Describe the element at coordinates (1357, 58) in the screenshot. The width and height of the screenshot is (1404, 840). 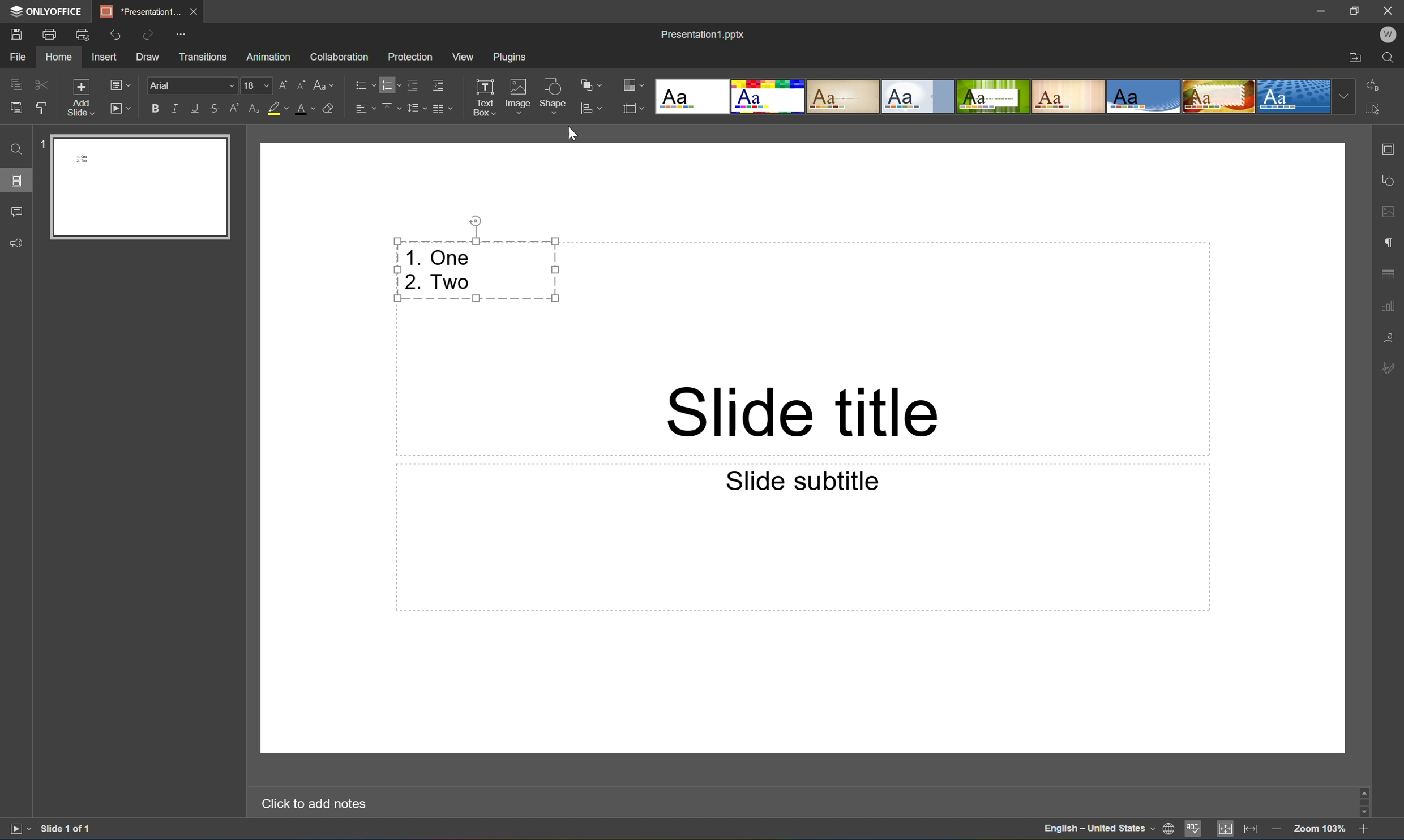
I see `Open file location` at that location.